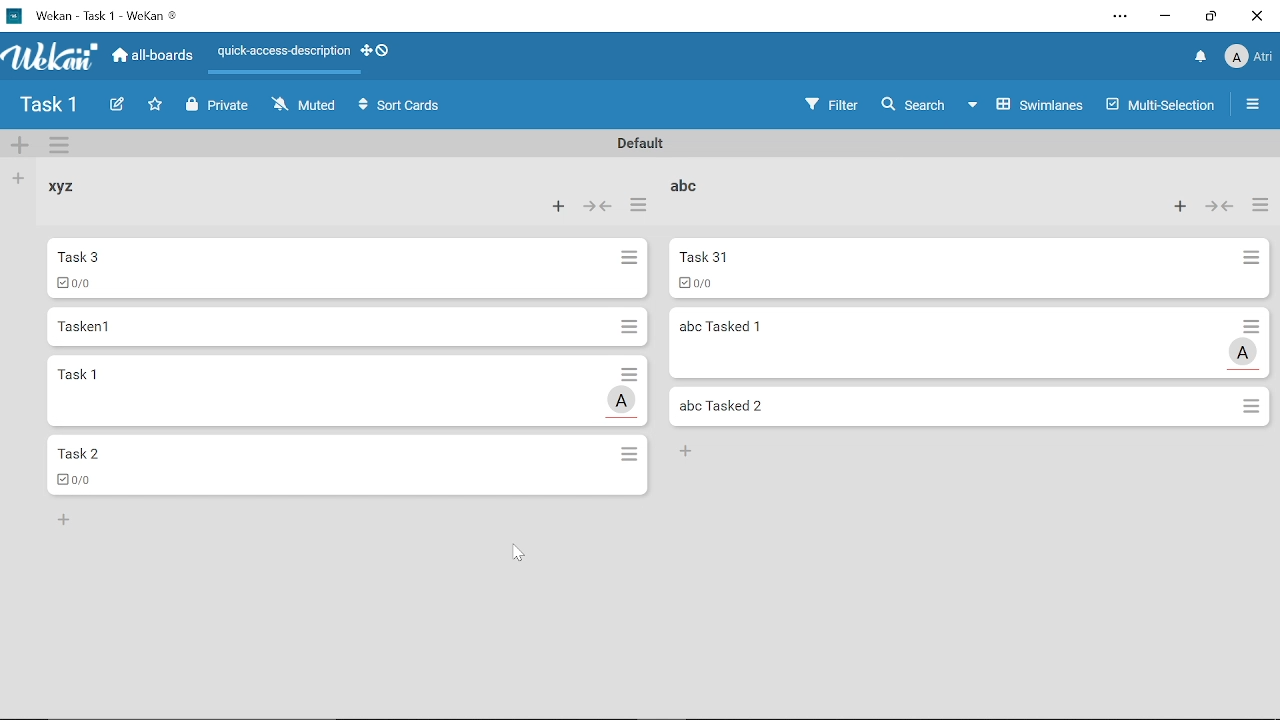 The image size is (1280, 720). I want to click on Filters, so click(827, 105).